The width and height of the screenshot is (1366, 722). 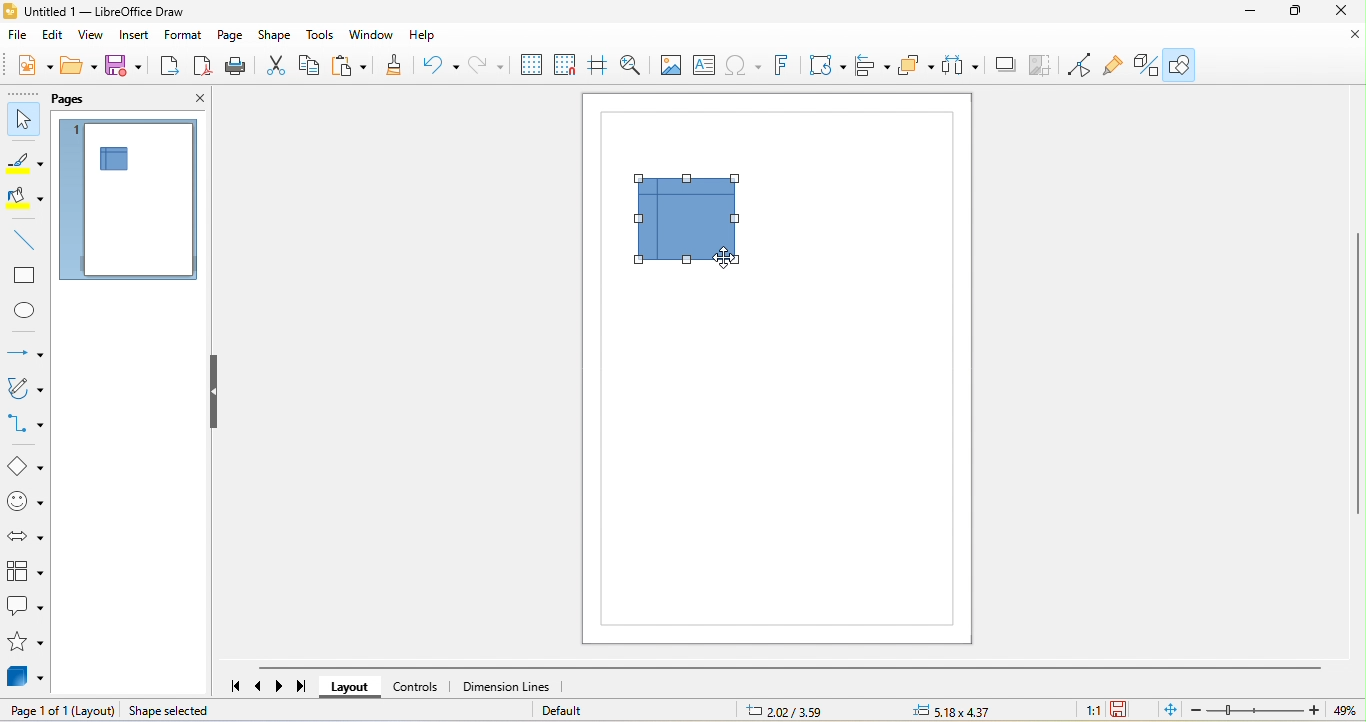 What do you see at coordinates (240, 68) in the screenshot?
I see `print` at bounding box center [240, 68].